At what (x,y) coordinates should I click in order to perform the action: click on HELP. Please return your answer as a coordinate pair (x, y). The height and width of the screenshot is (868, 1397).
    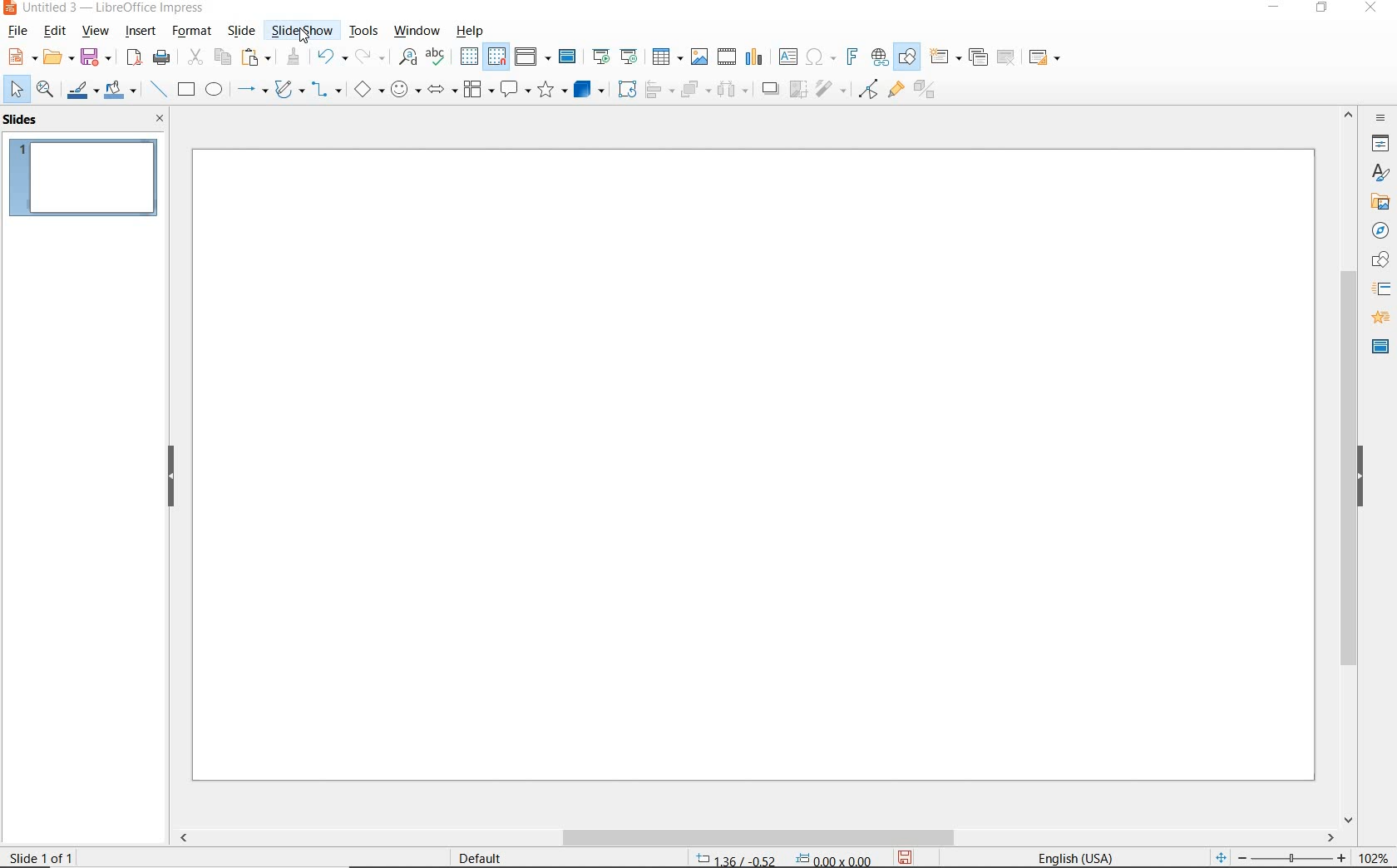
    Looking at the image, I should click on (478, 30).